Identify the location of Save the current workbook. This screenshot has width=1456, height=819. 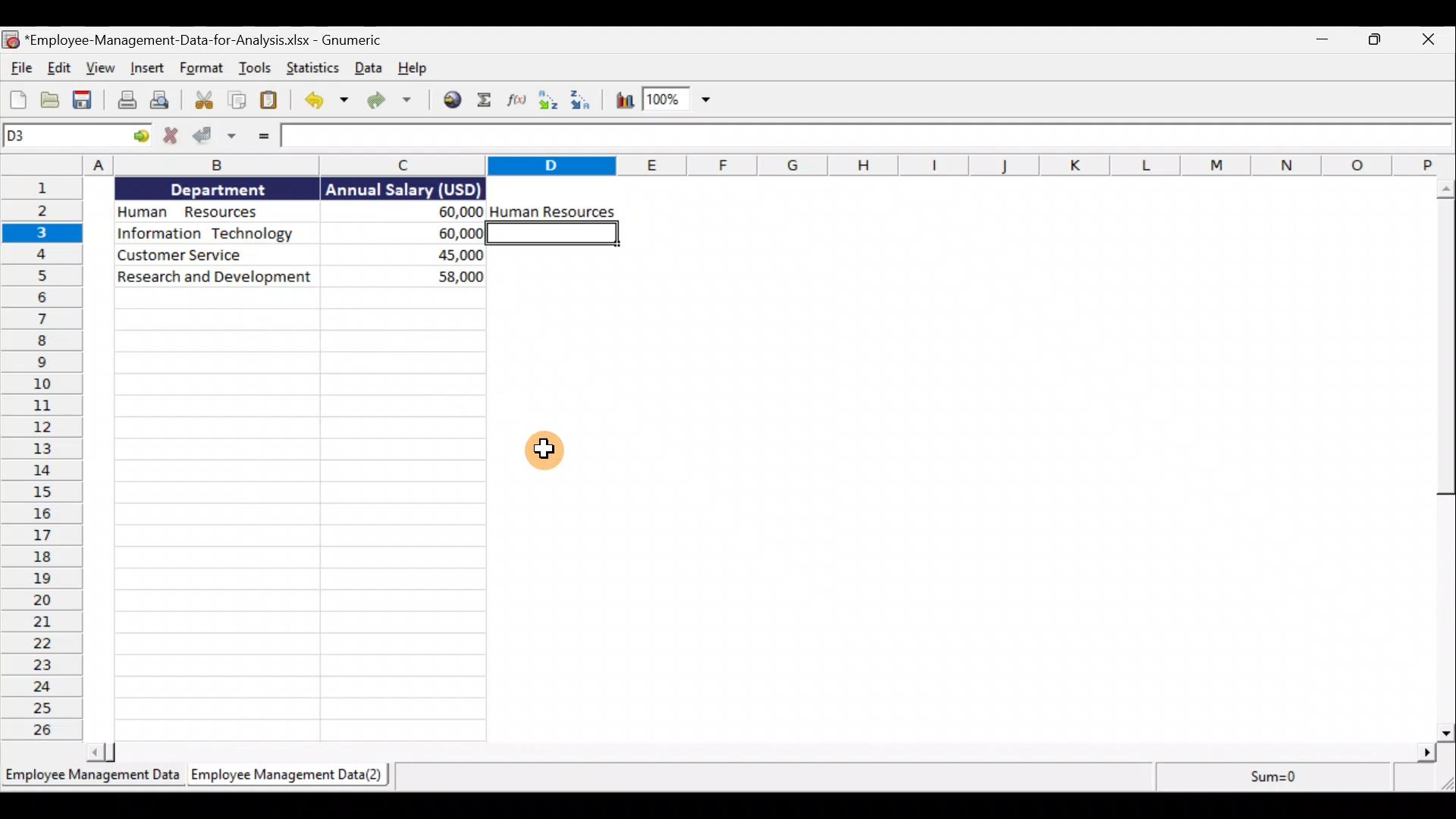
(83, 100).